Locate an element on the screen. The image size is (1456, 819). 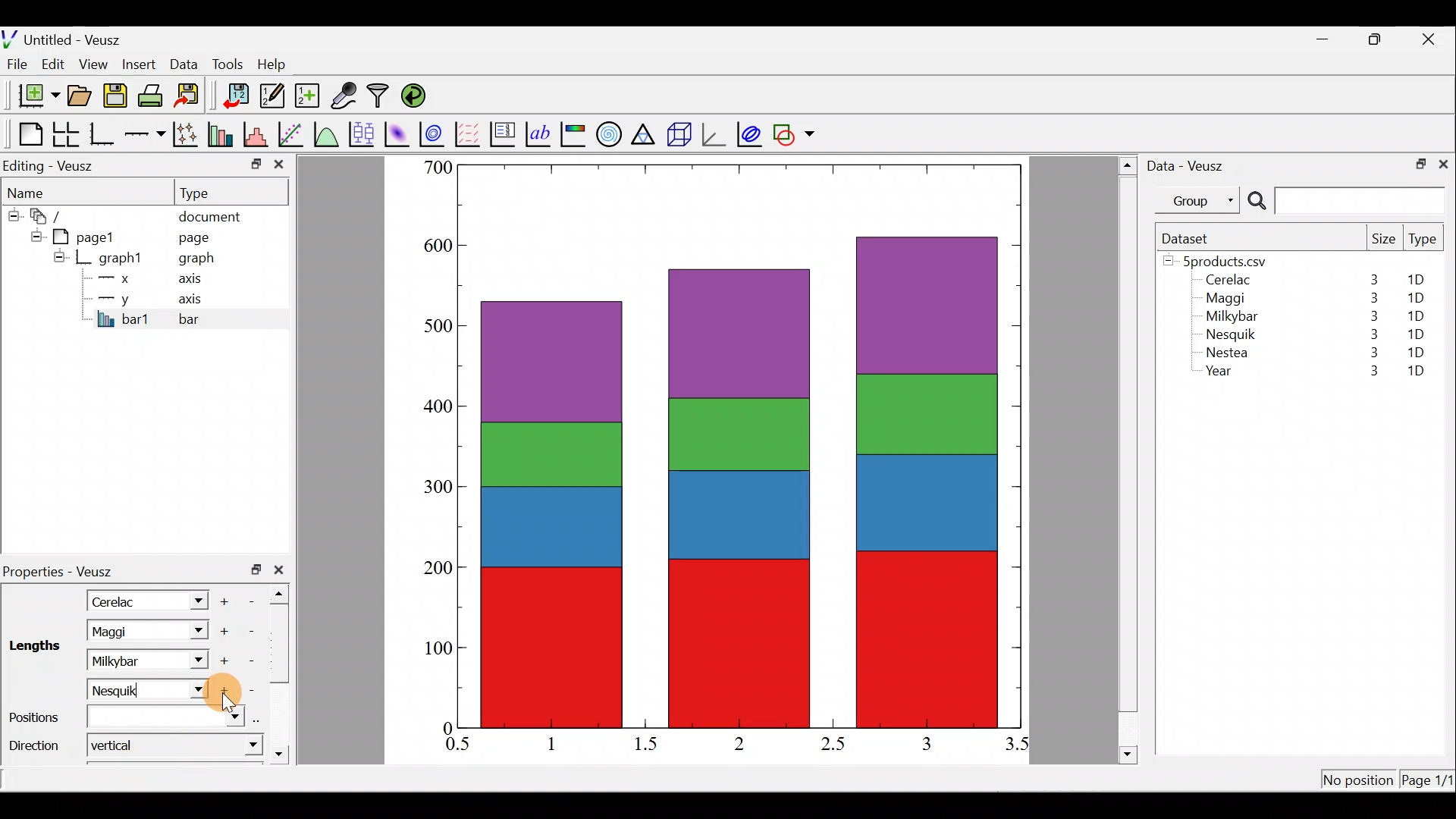
3d graph is located at coordinates (714, 133).